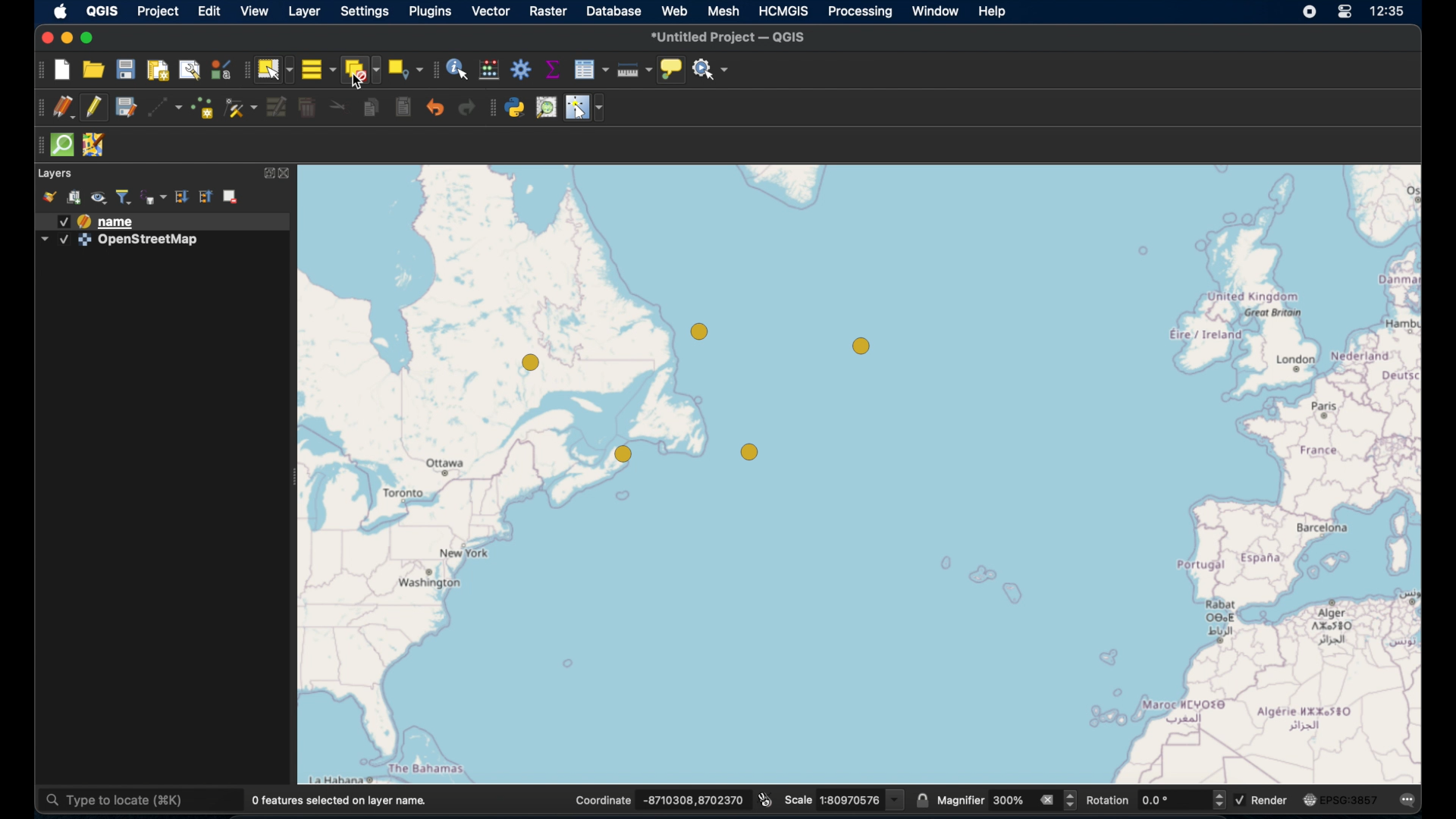 Image resolution: width=1456 pixels, height=819 pixels. Describe the element at coordinates (268, 174) in the screenshot. I see `expand` at that location.